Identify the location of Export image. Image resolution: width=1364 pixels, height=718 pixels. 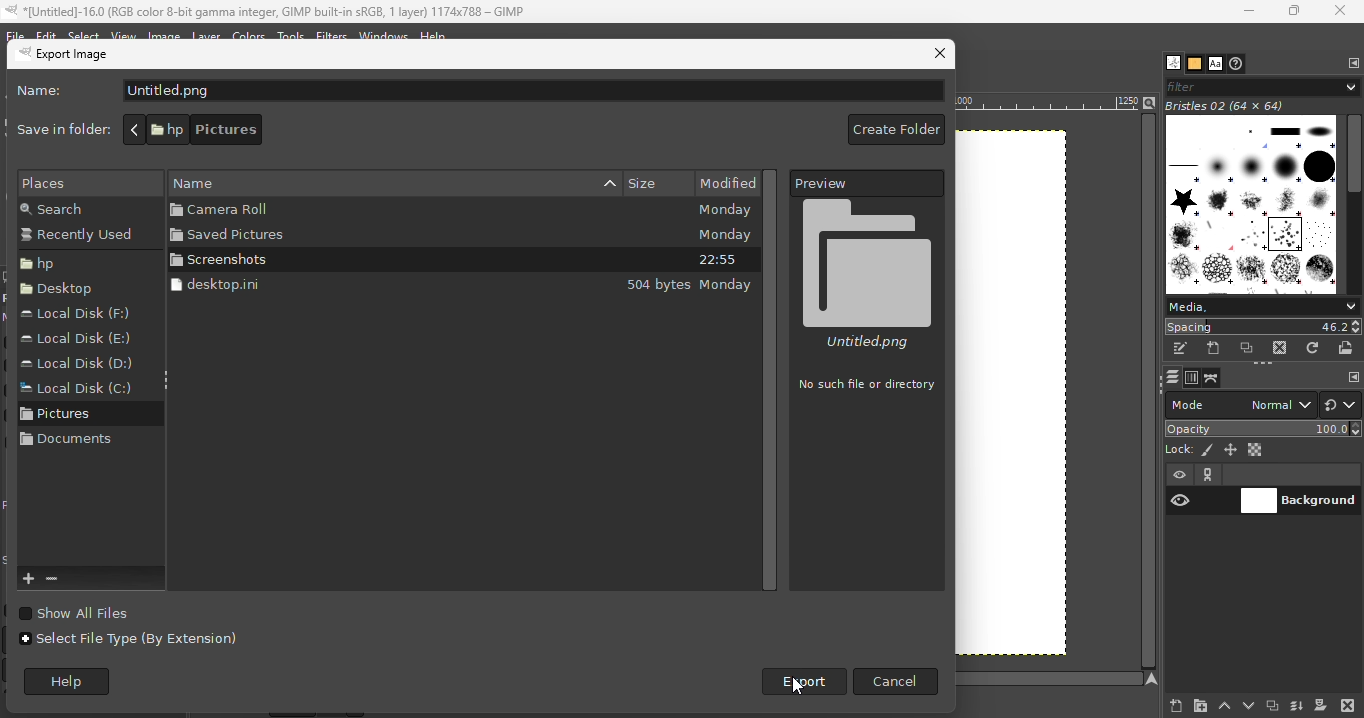
(95, 57).